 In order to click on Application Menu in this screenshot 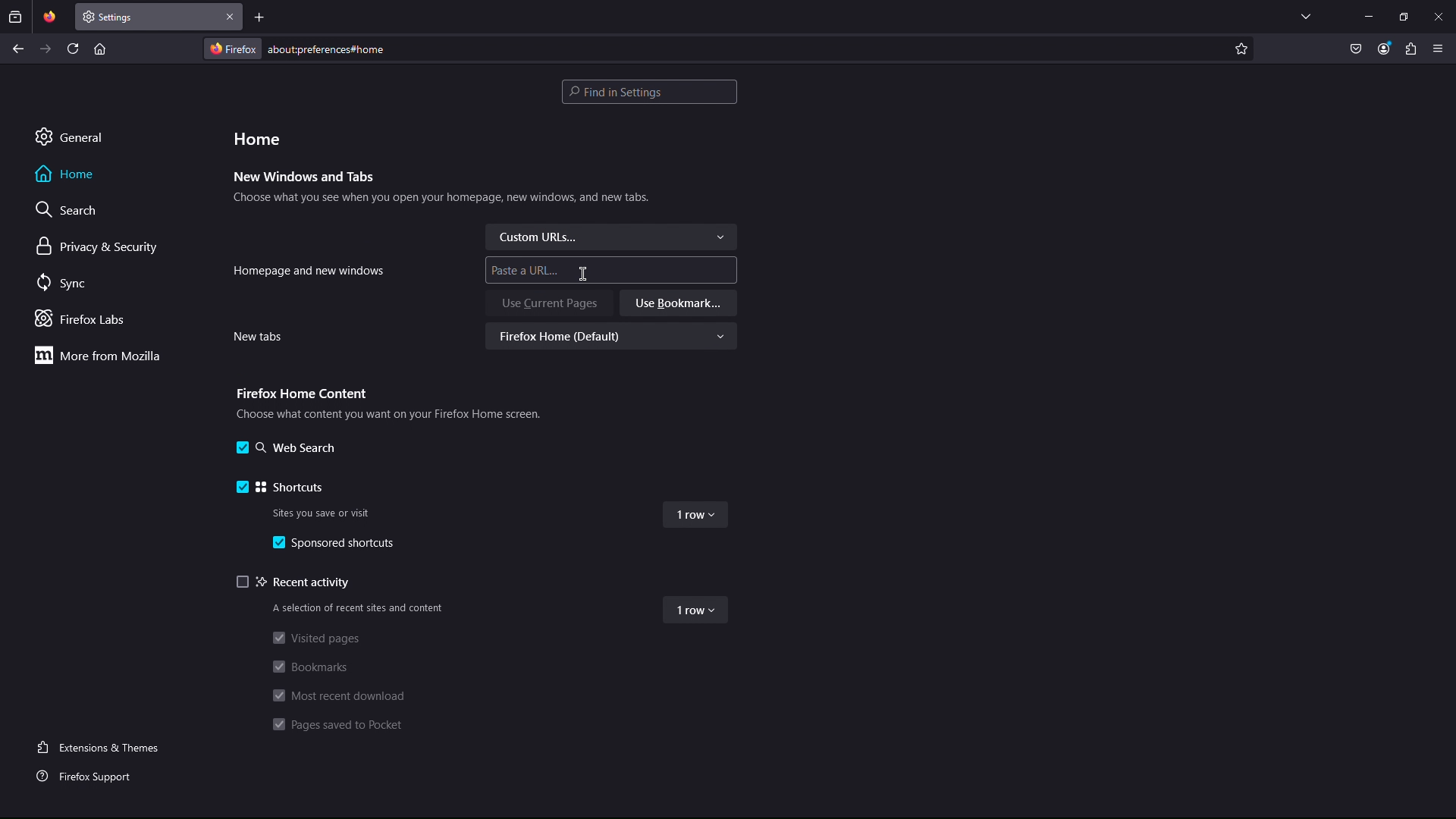, I will do `click(1439, 50)`.